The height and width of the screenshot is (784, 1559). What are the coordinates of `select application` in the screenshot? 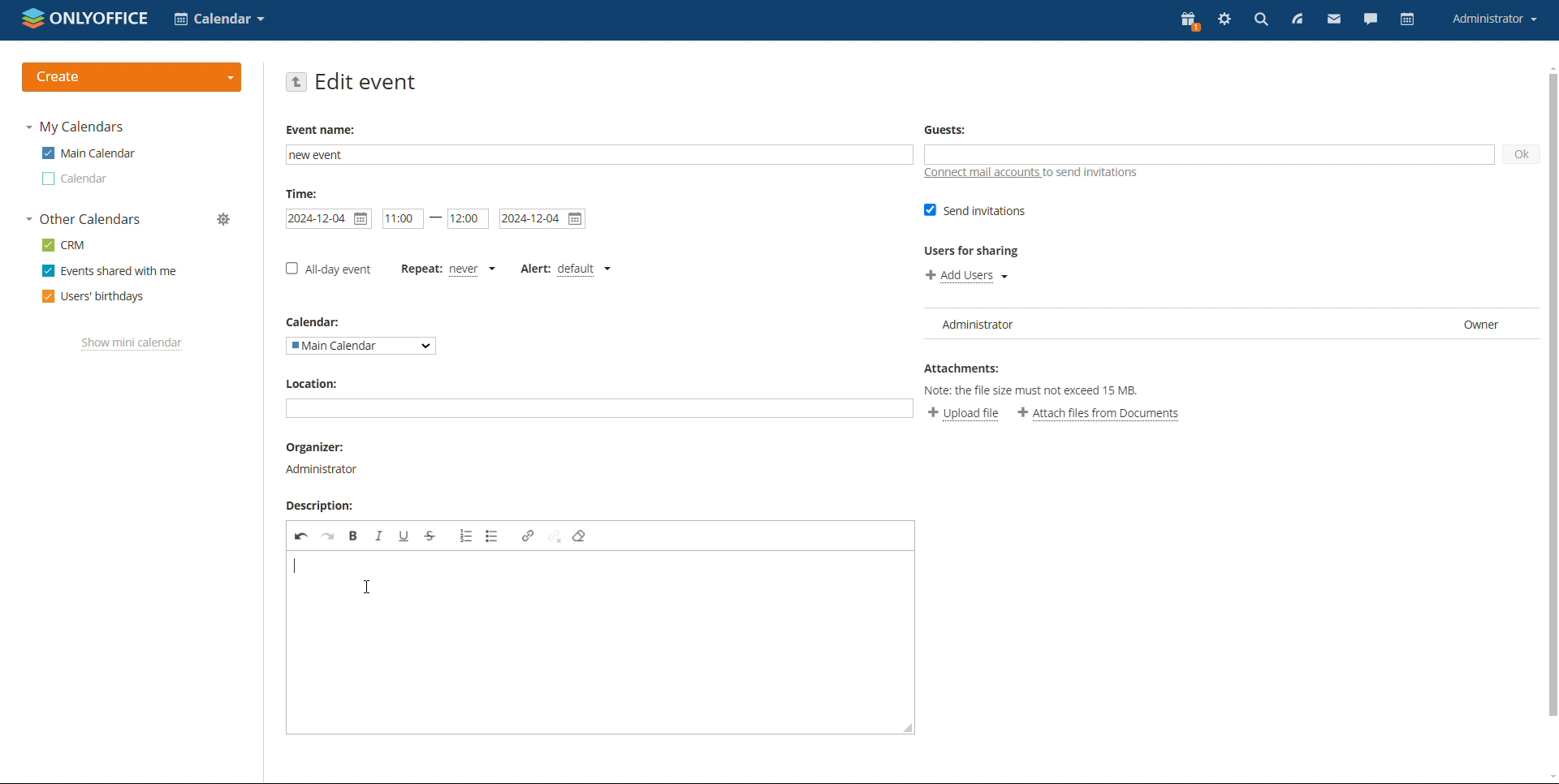 It's located at (218, 19).